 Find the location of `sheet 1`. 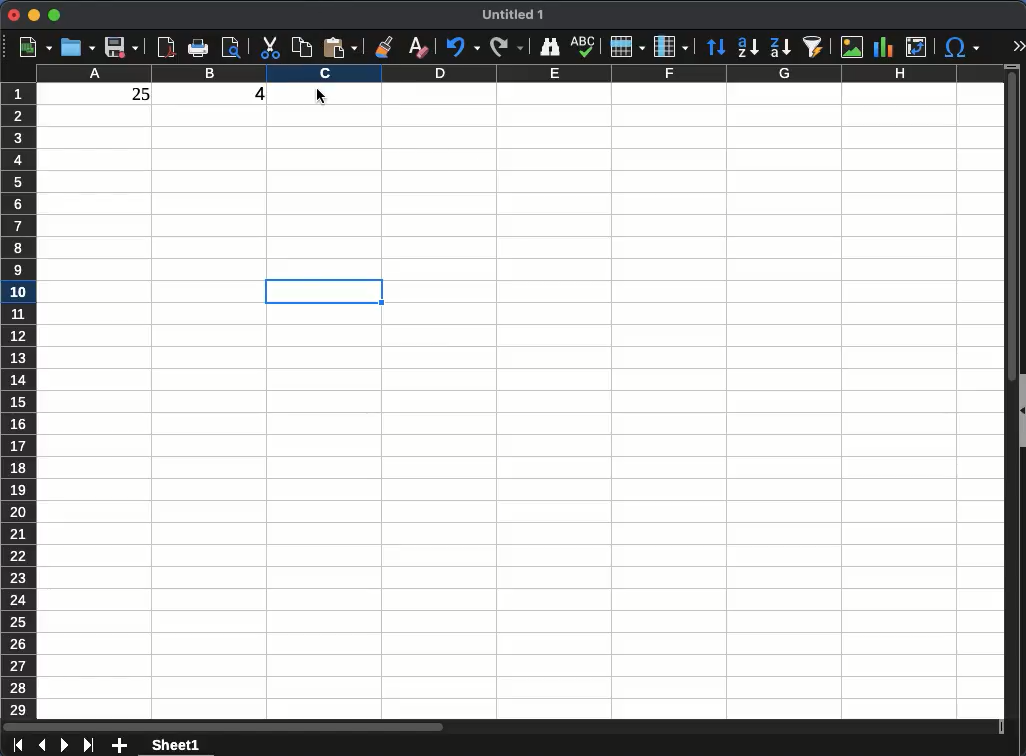

sheet 1 is located at coordinates (176, 744).